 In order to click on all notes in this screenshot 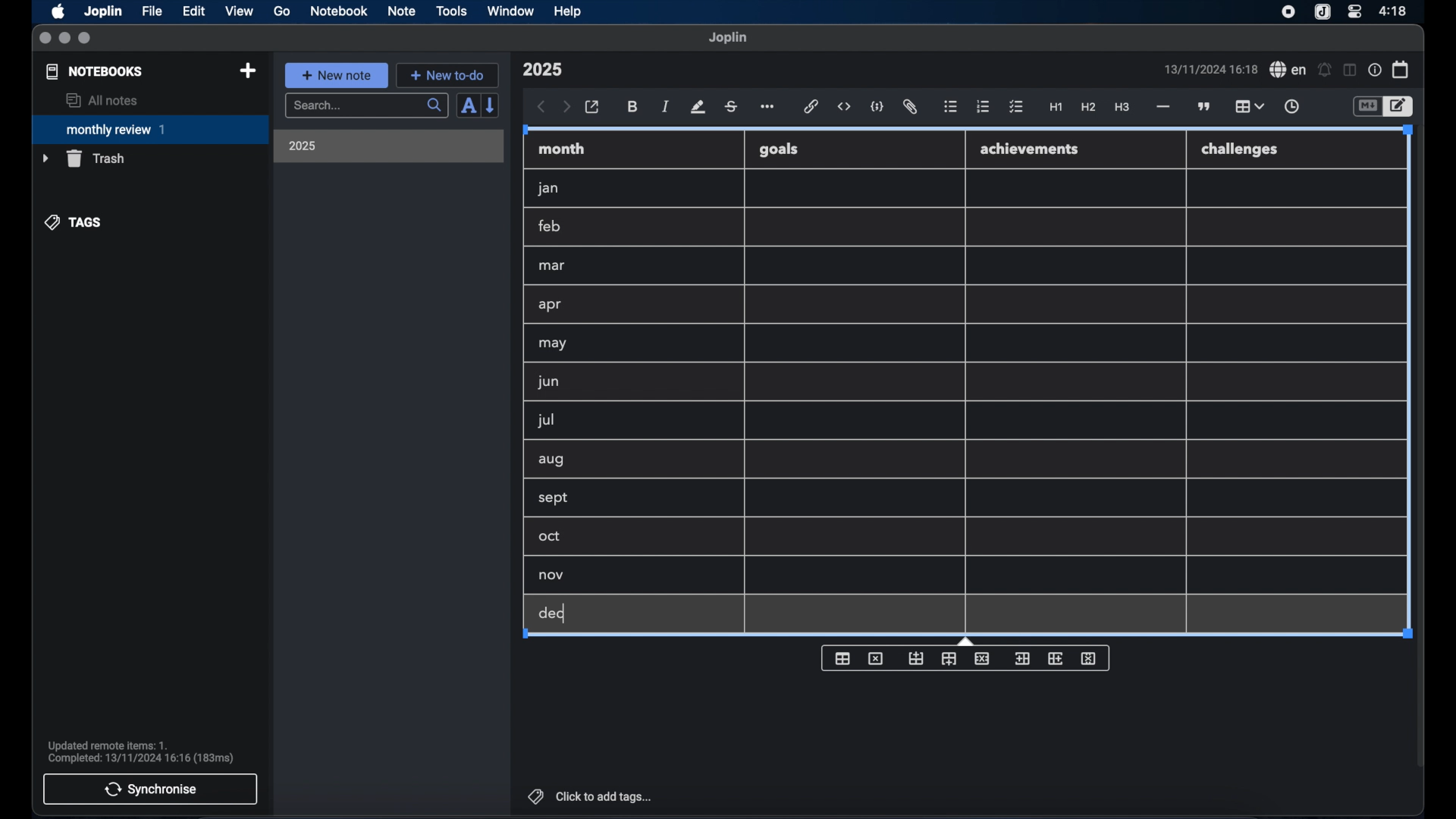, I will do `click(102, 100)`.